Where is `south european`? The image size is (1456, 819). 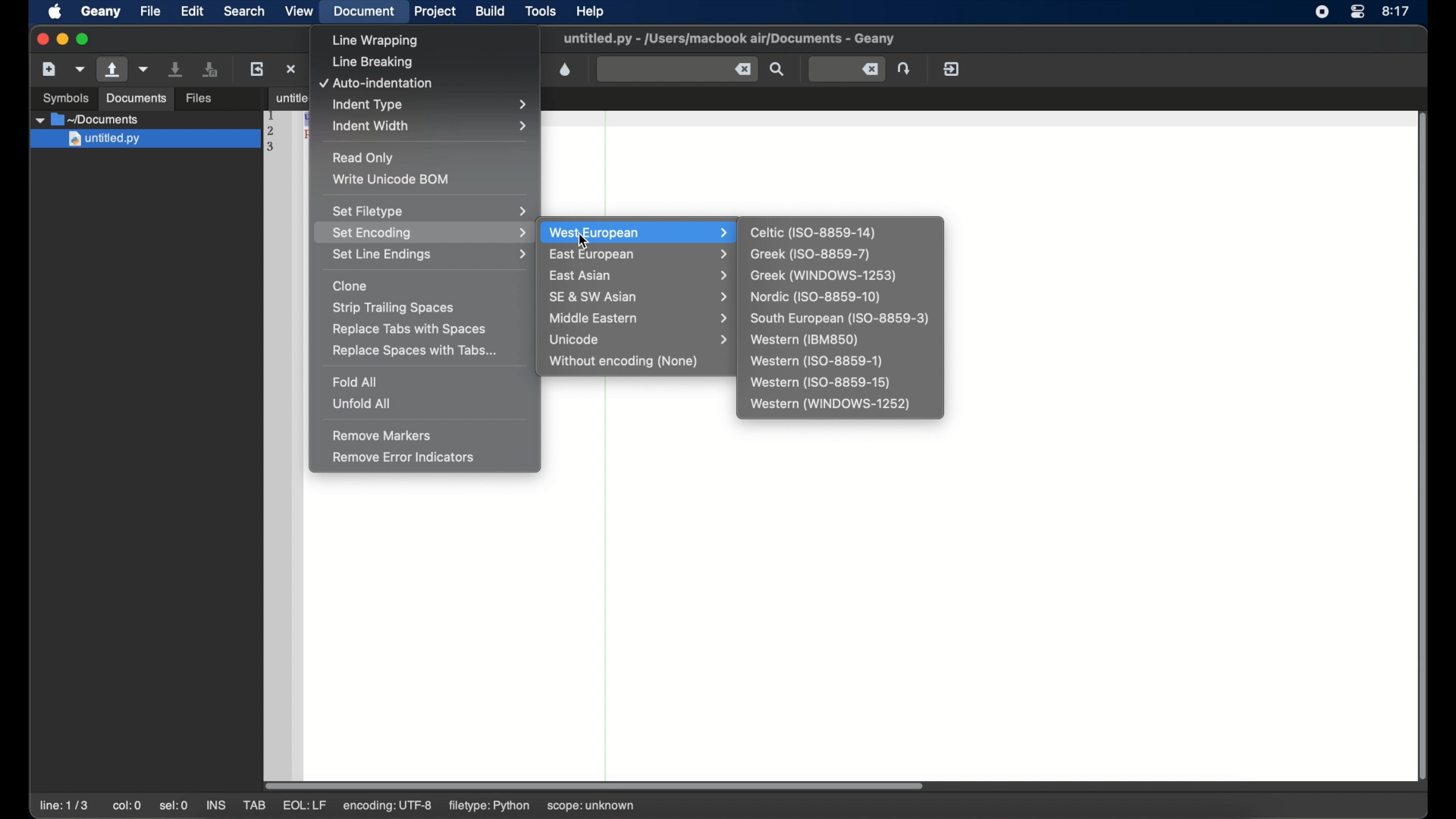 south european is located at coordinates (839, 319).